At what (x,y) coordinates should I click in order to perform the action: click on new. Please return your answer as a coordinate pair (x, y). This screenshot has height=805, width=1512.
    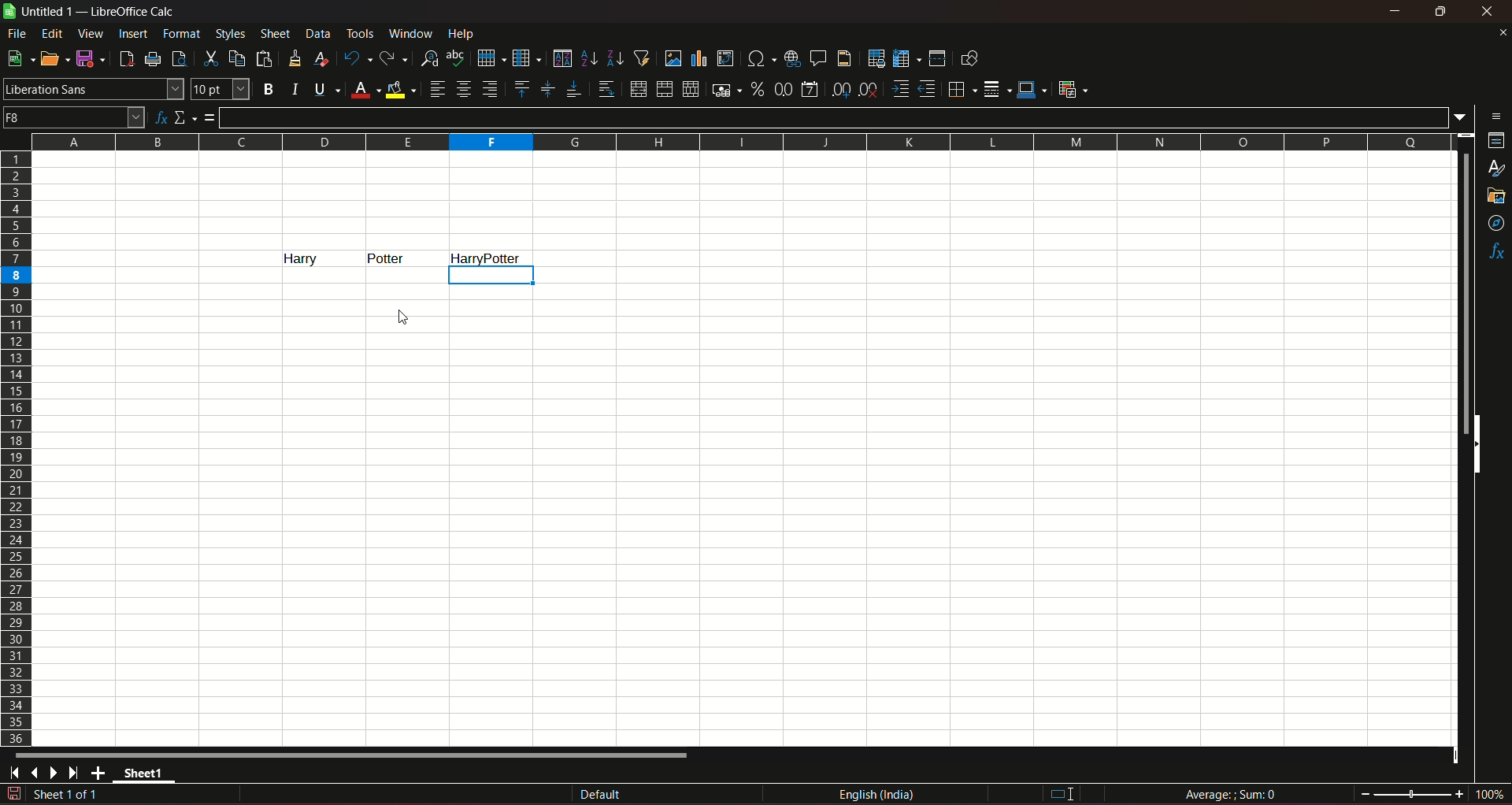
    Looking at the image, I should click on (18, 58).